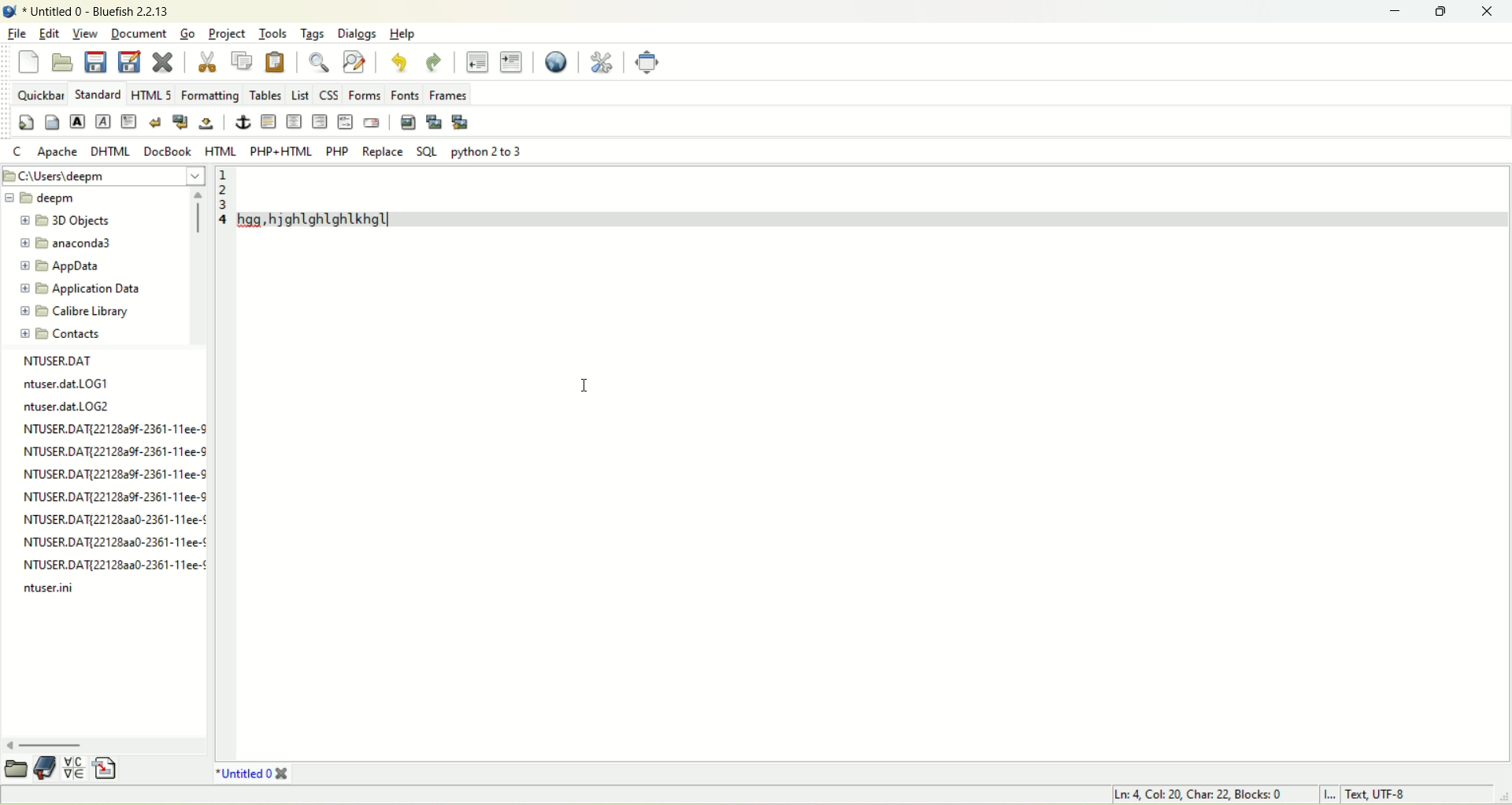  What do you see at coordinates (167, 151) in the screenshot?
I see `DocBook` at bounding box center [167, 151].